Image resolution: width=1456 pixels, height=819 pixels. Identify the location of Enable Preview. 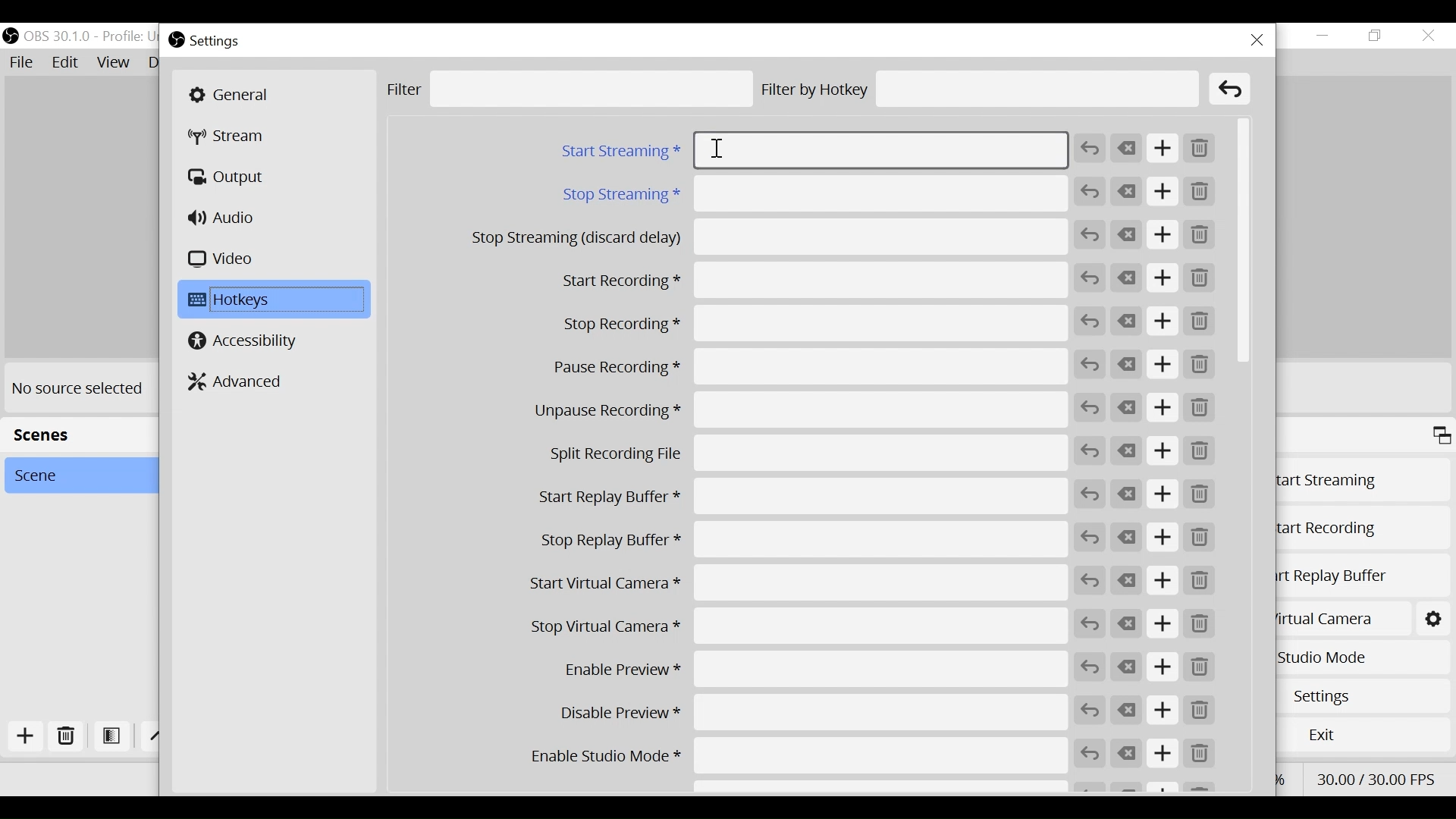
(798, 669).